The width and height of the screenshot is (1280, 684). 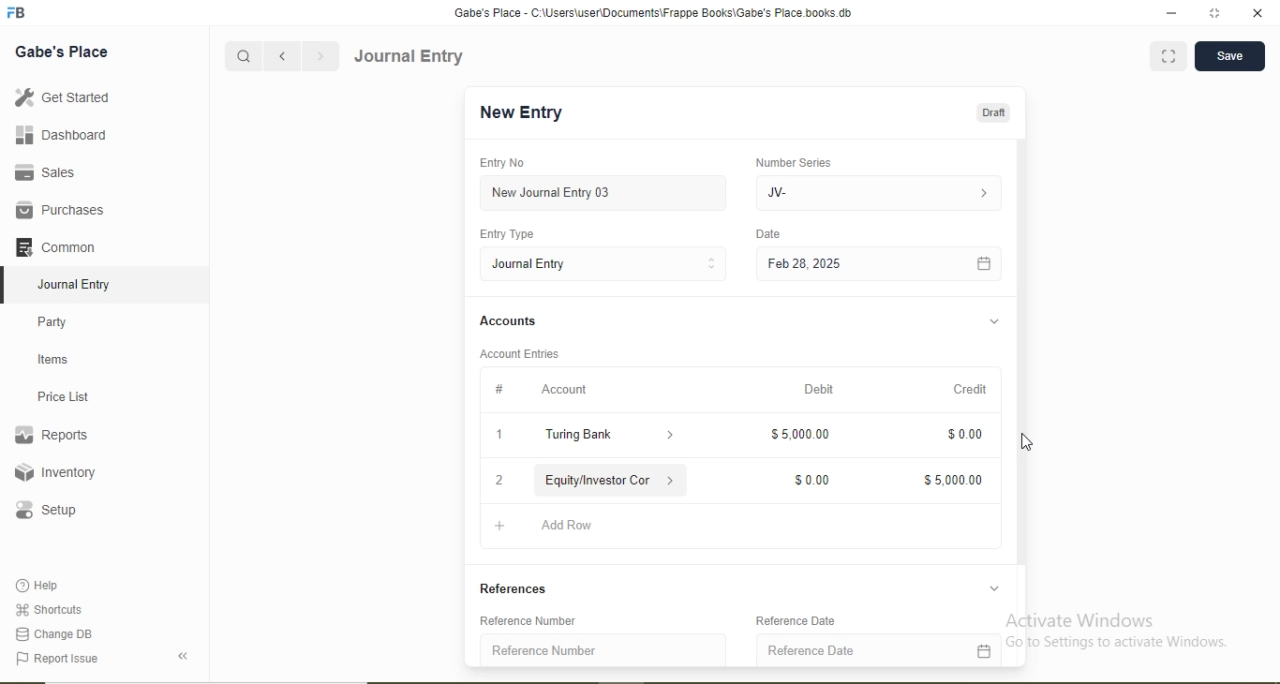 I want to click on JV-, so click(x=777, y=193).